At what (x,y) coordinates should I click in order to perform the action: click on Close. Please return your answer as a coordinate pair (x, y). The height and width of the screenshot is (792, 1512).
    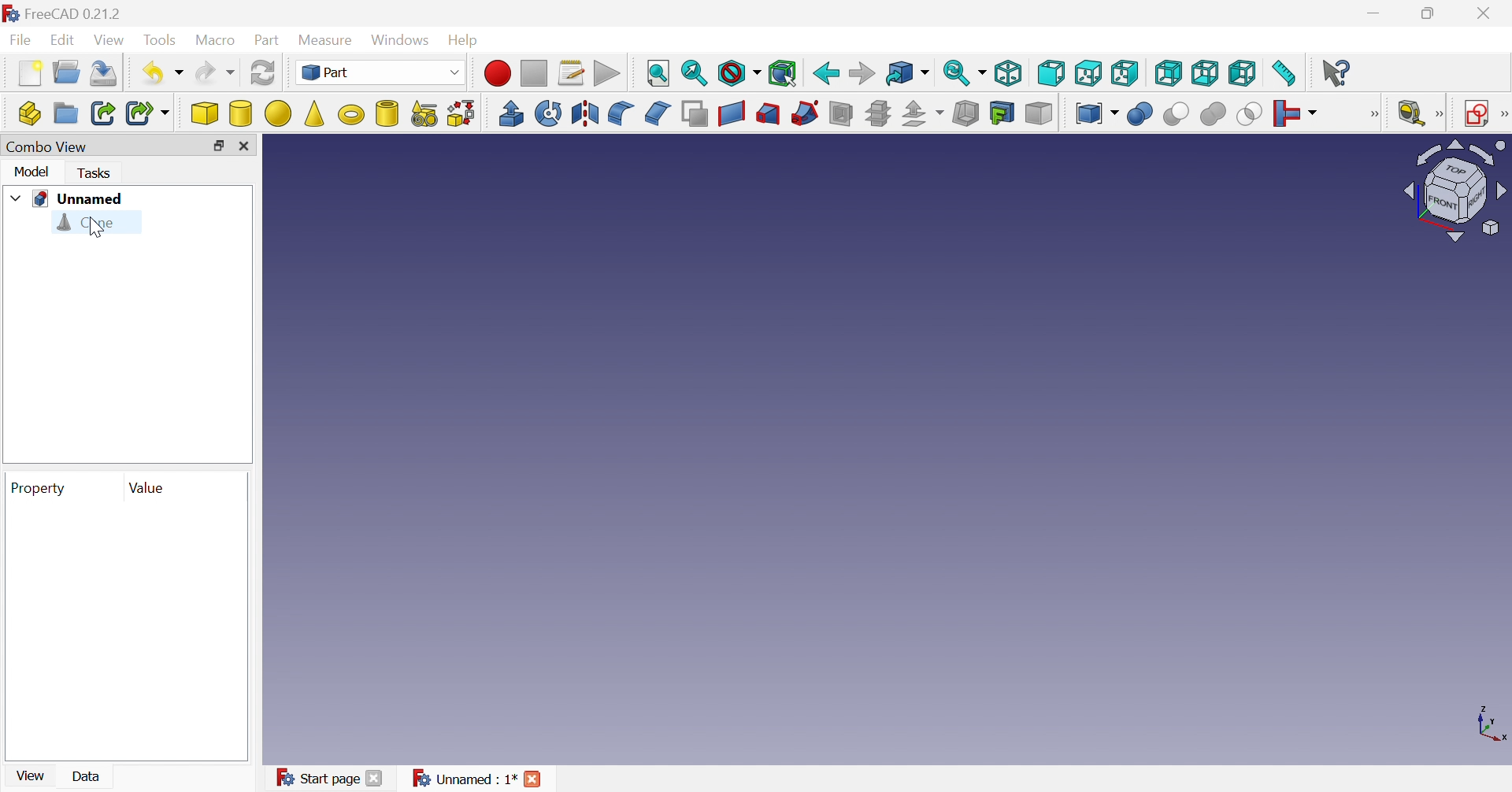
    Looking at the image, I should click on (372, 781).